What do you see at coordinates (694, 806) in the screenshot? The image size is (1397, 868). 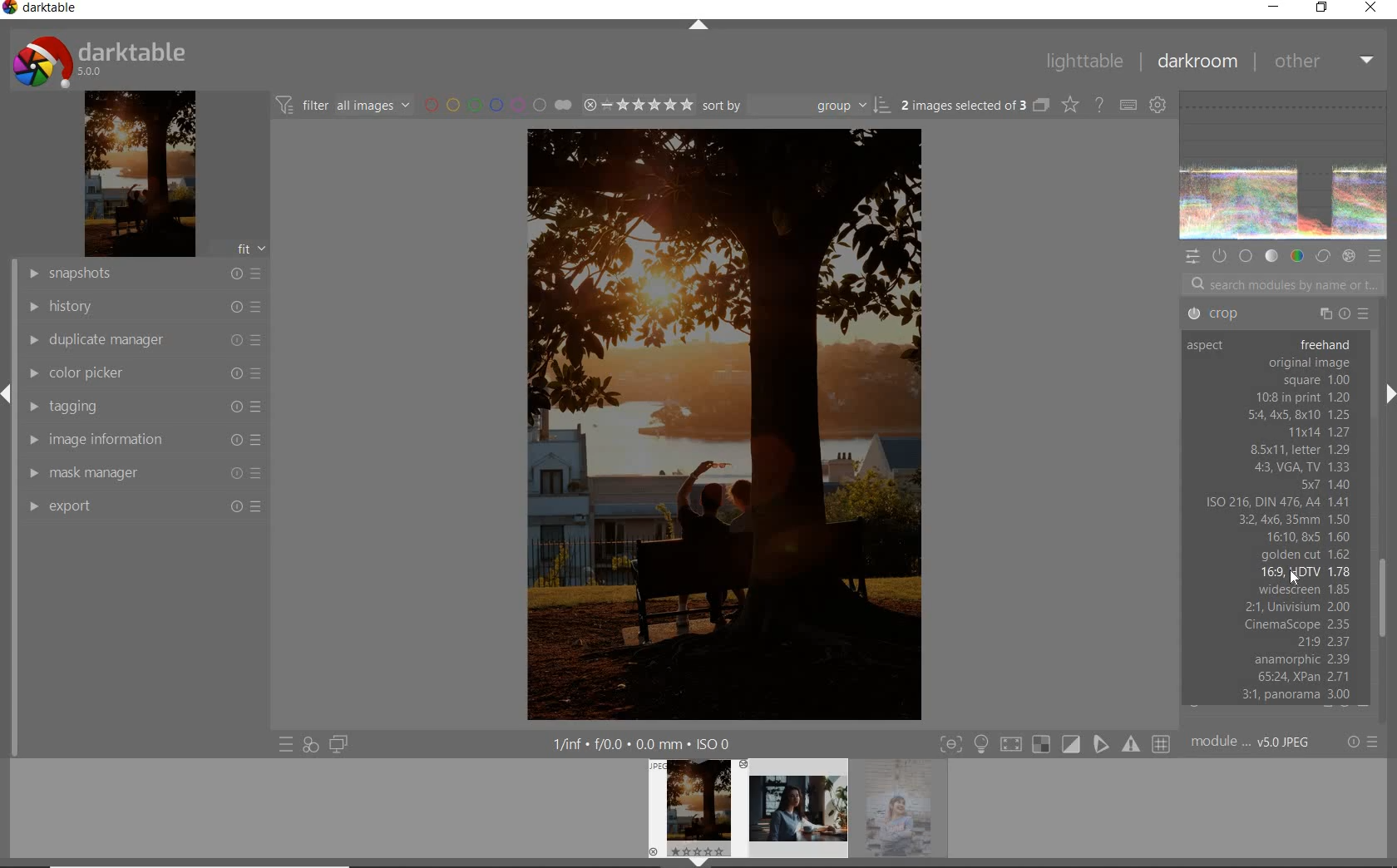 I see `image preview` at bounding box center [694, 806].